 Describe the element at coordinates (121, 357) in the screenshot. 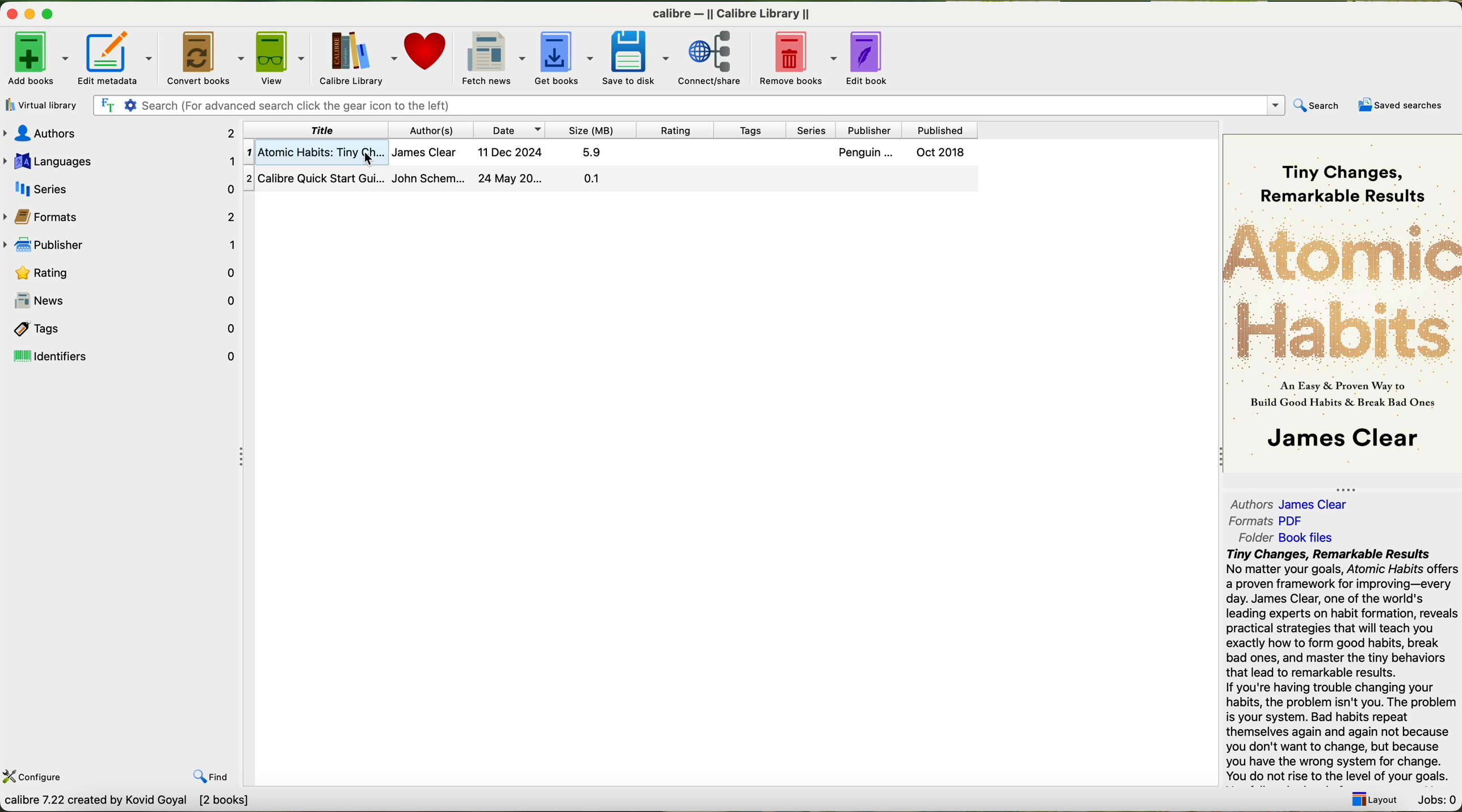

I see `identifiers` at that location.